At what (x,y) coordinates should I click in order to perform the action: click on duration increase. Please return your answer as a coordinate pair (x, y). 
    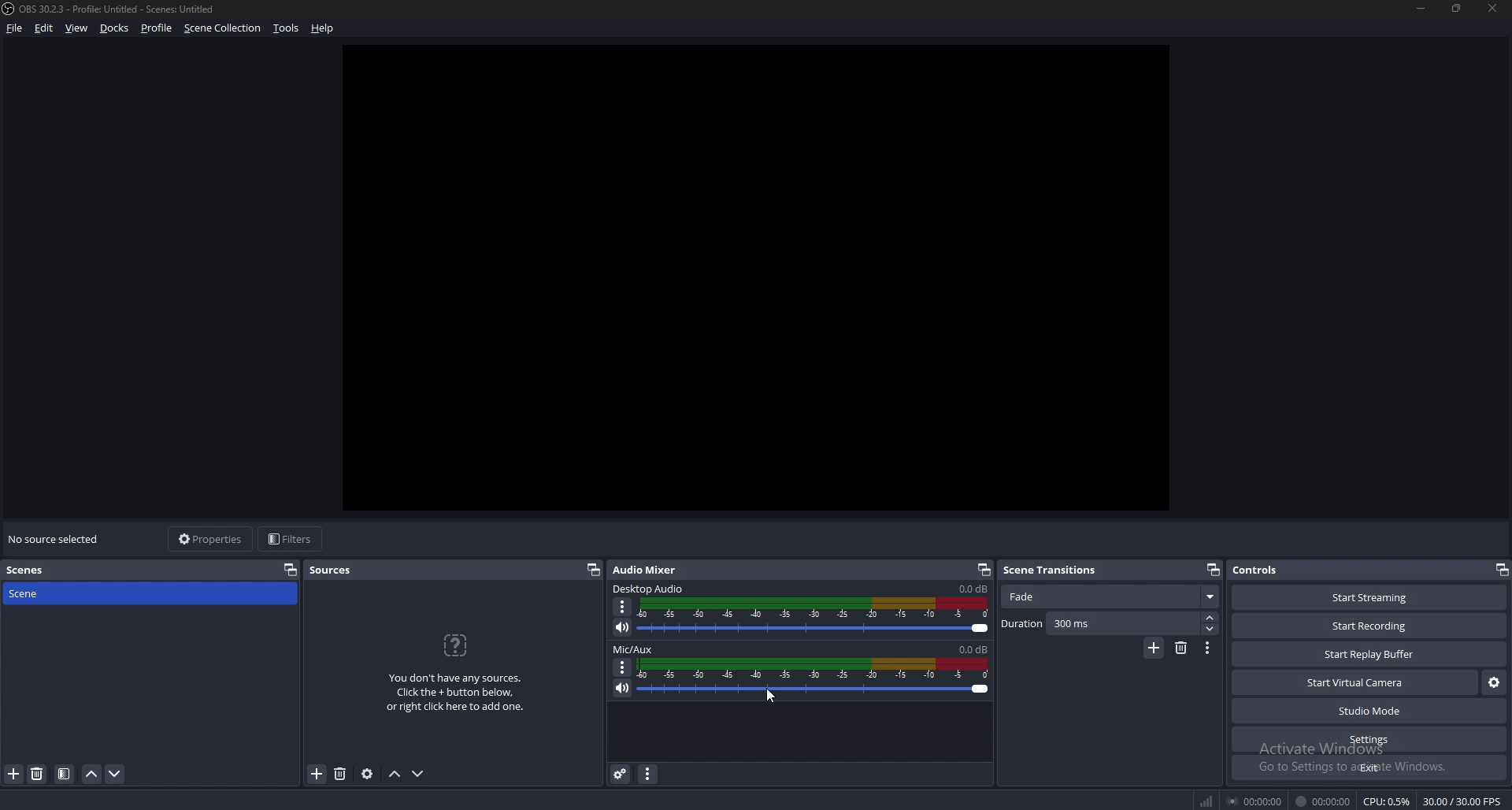
    Looking at the image, I should click on (1211, 619).